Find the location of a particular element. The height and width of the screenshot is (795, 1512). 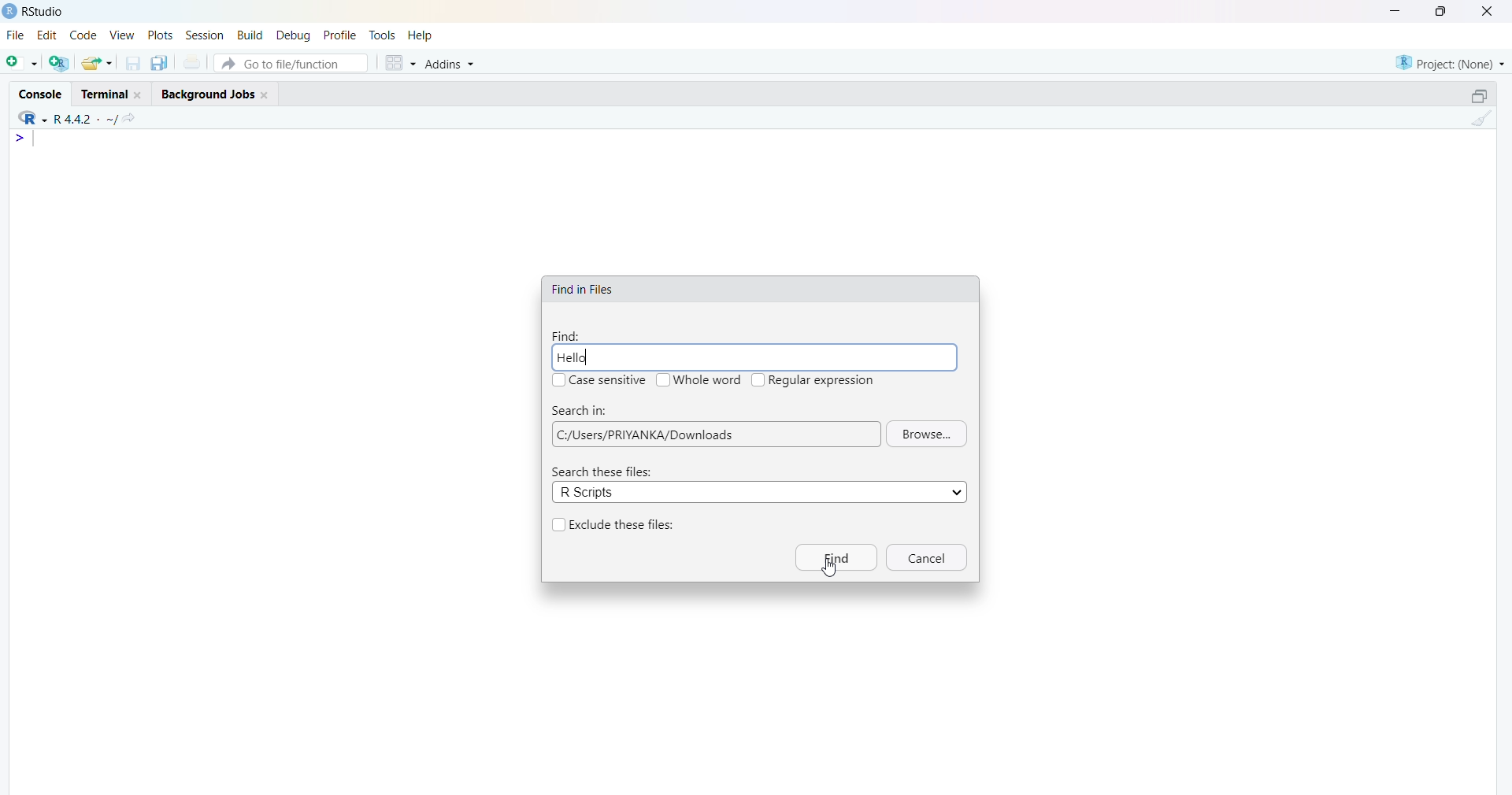

minimise is located at coordinates (1397, 9).